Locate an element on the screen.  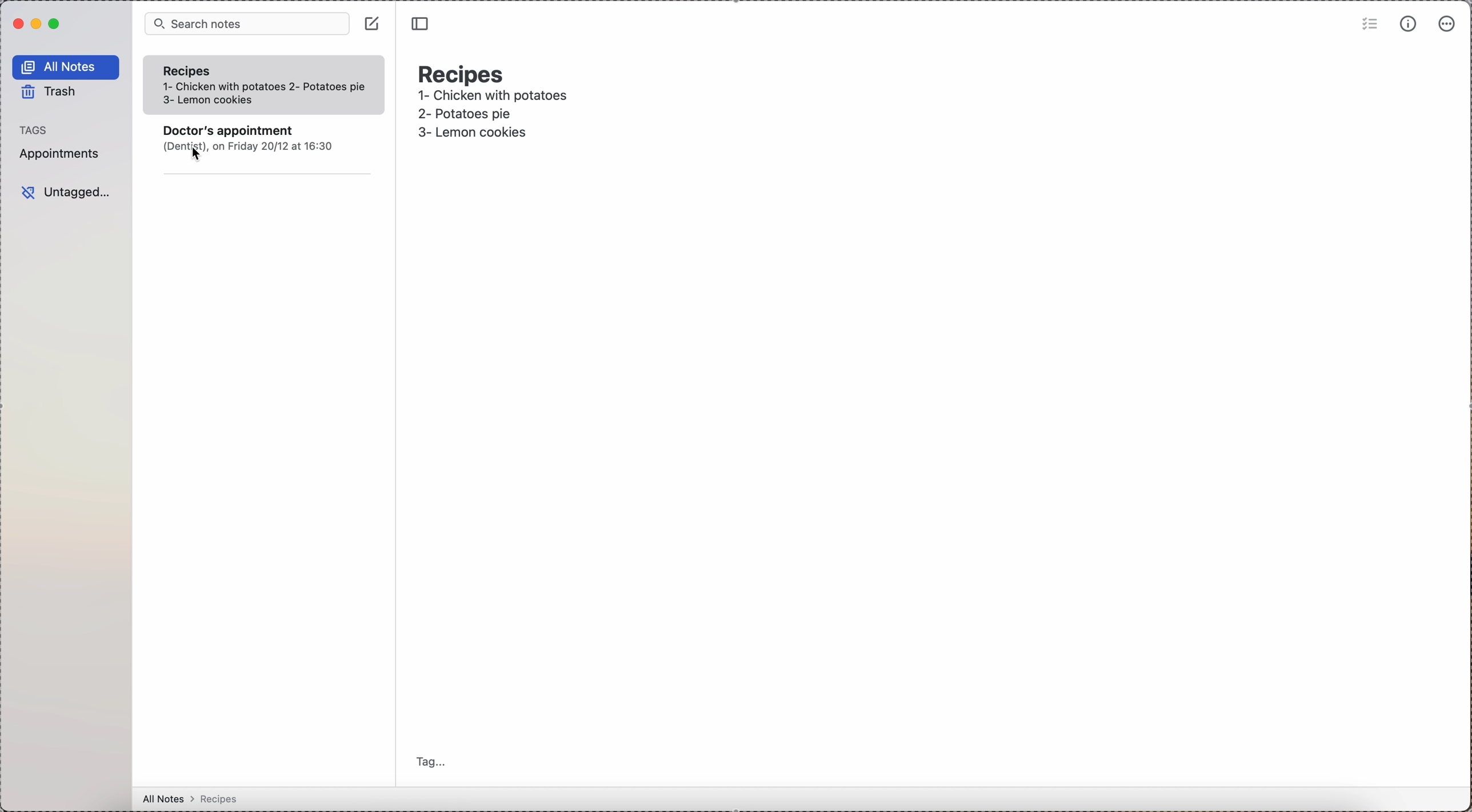
tags is located at coordinates (38, 130).